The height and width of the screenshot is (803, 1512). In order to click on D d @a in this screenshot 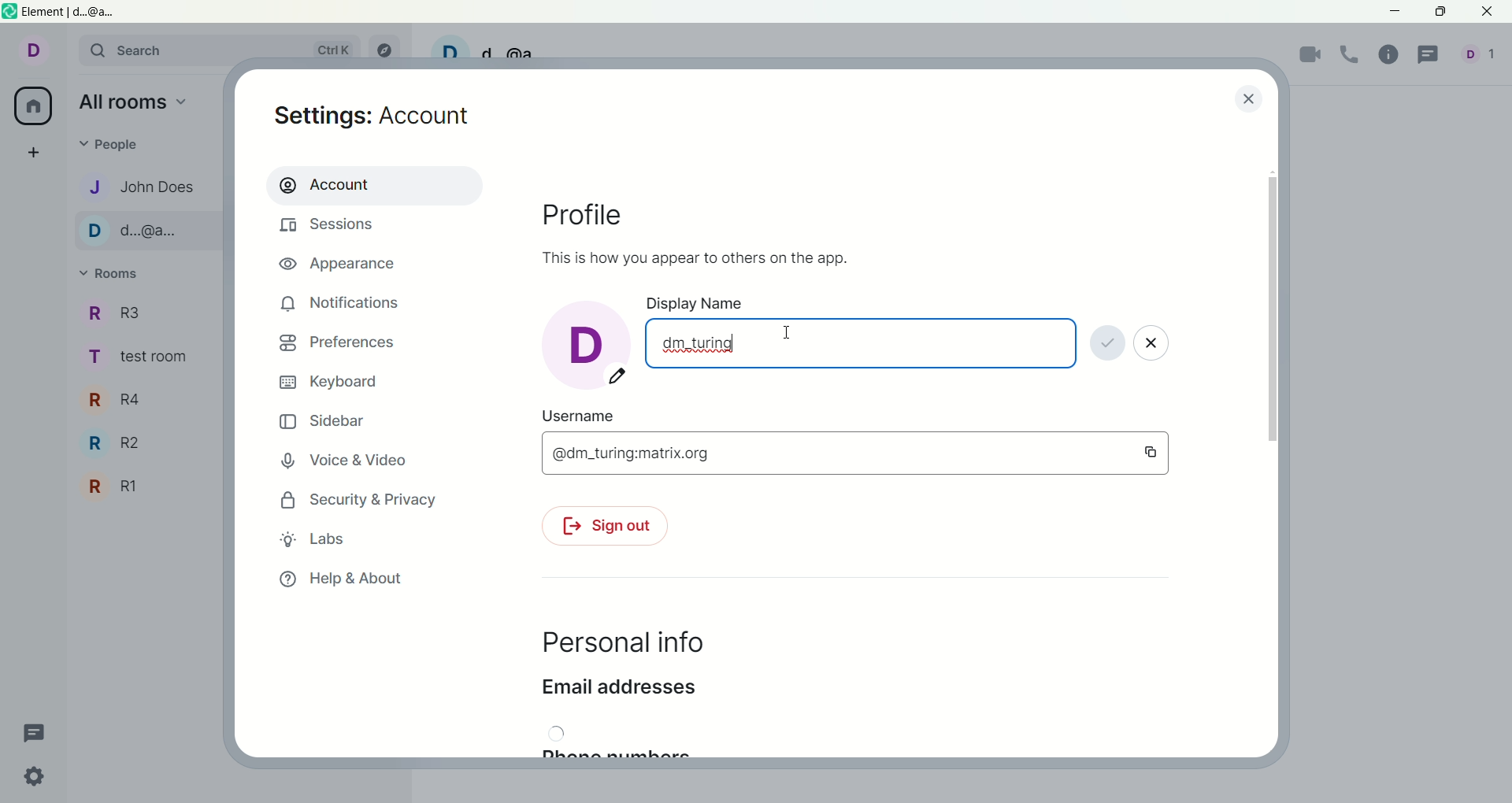, I will do `click(490, 47)`.